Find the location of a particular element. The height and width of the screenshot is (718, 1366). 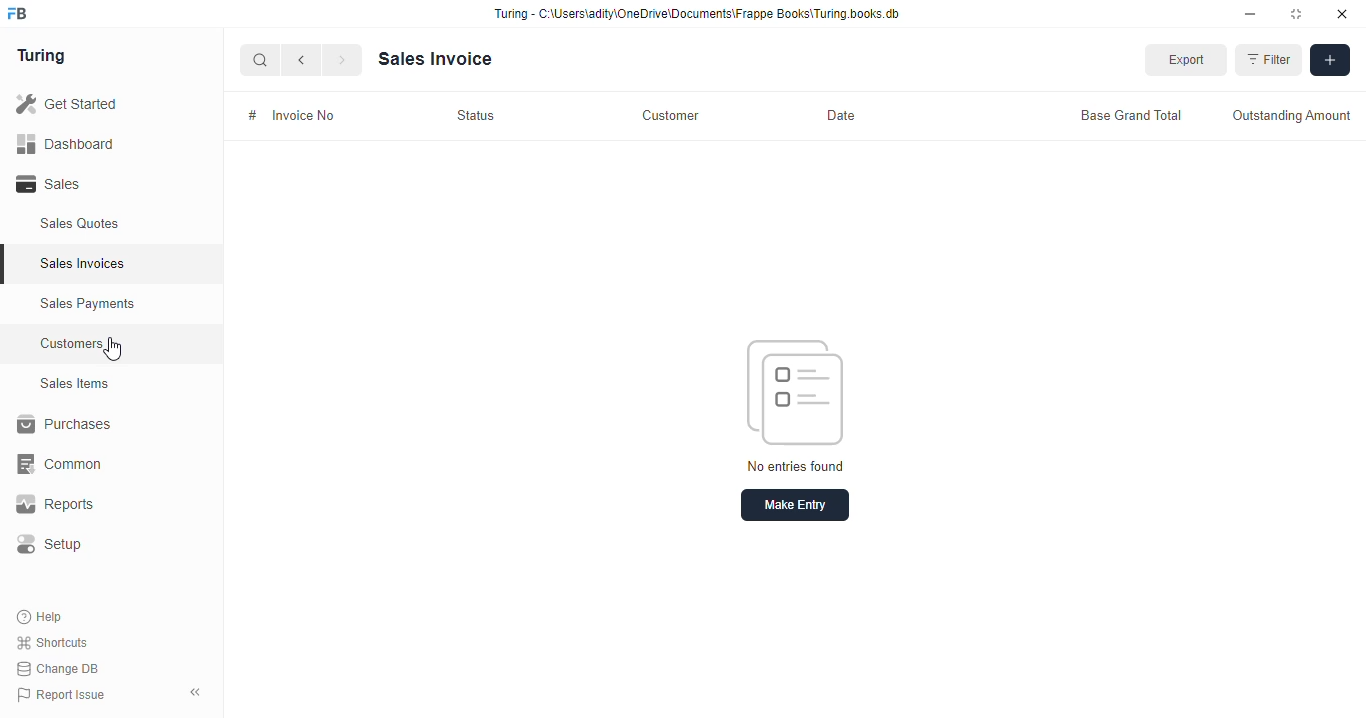

frappebooks logo is located at coordinates (23, 15).